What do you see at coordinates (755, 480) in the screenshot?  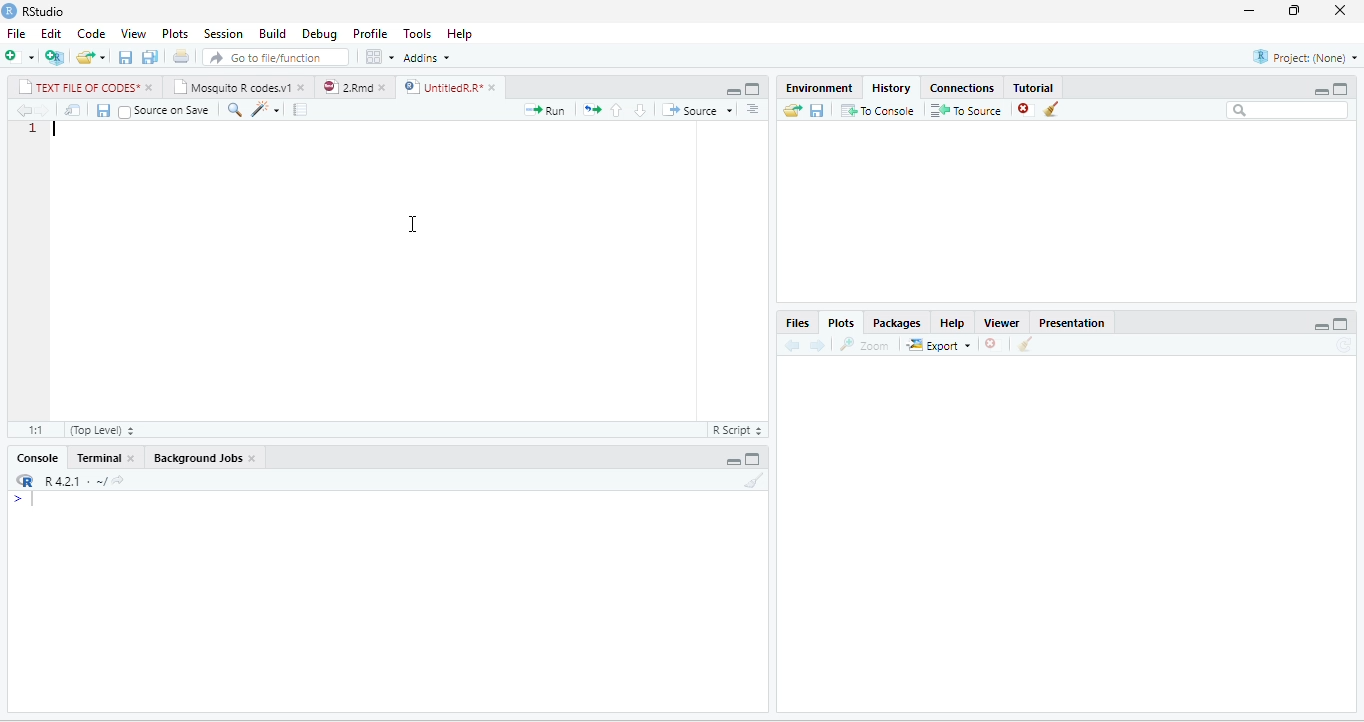 I see `clear` at bounding box center [755, 480].